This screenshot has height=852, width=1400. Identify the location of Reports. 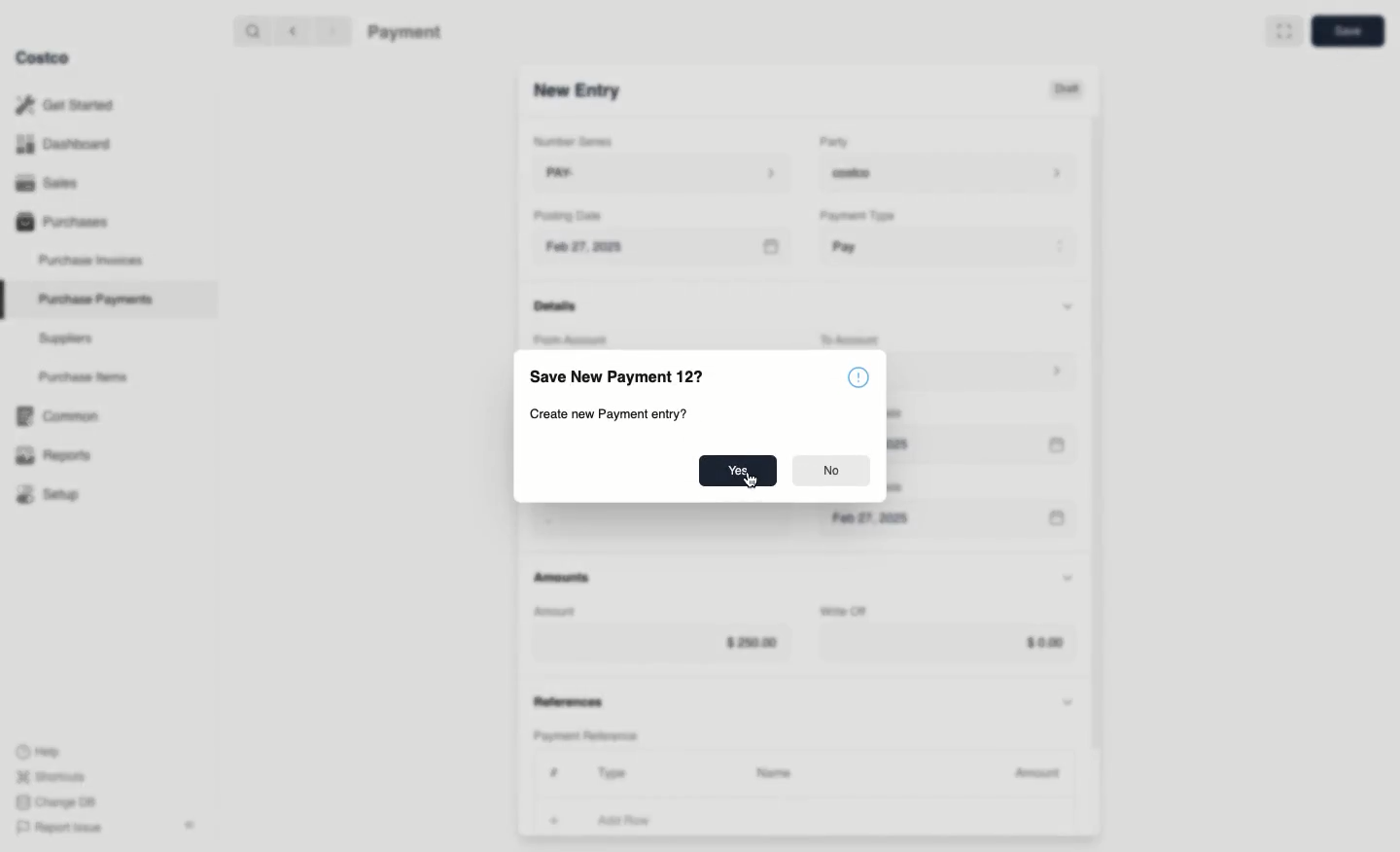
(51, 452).